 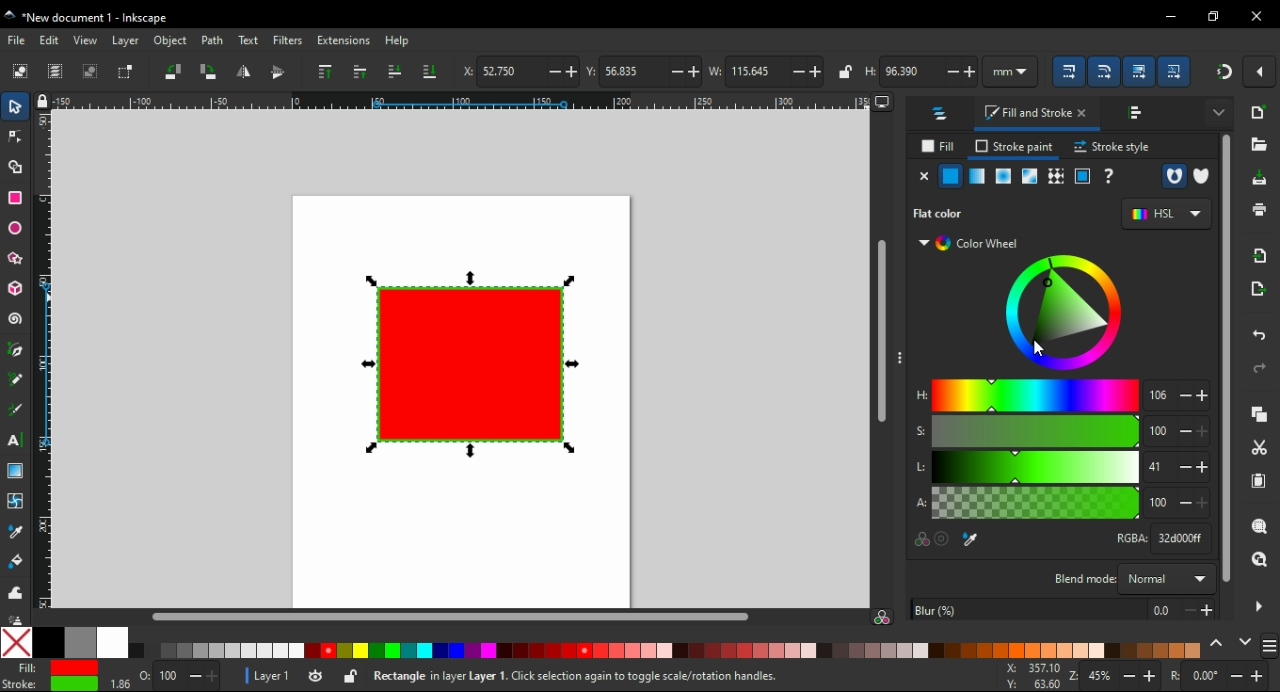 I want to click on fill rule, so click(x=1173, y=177).